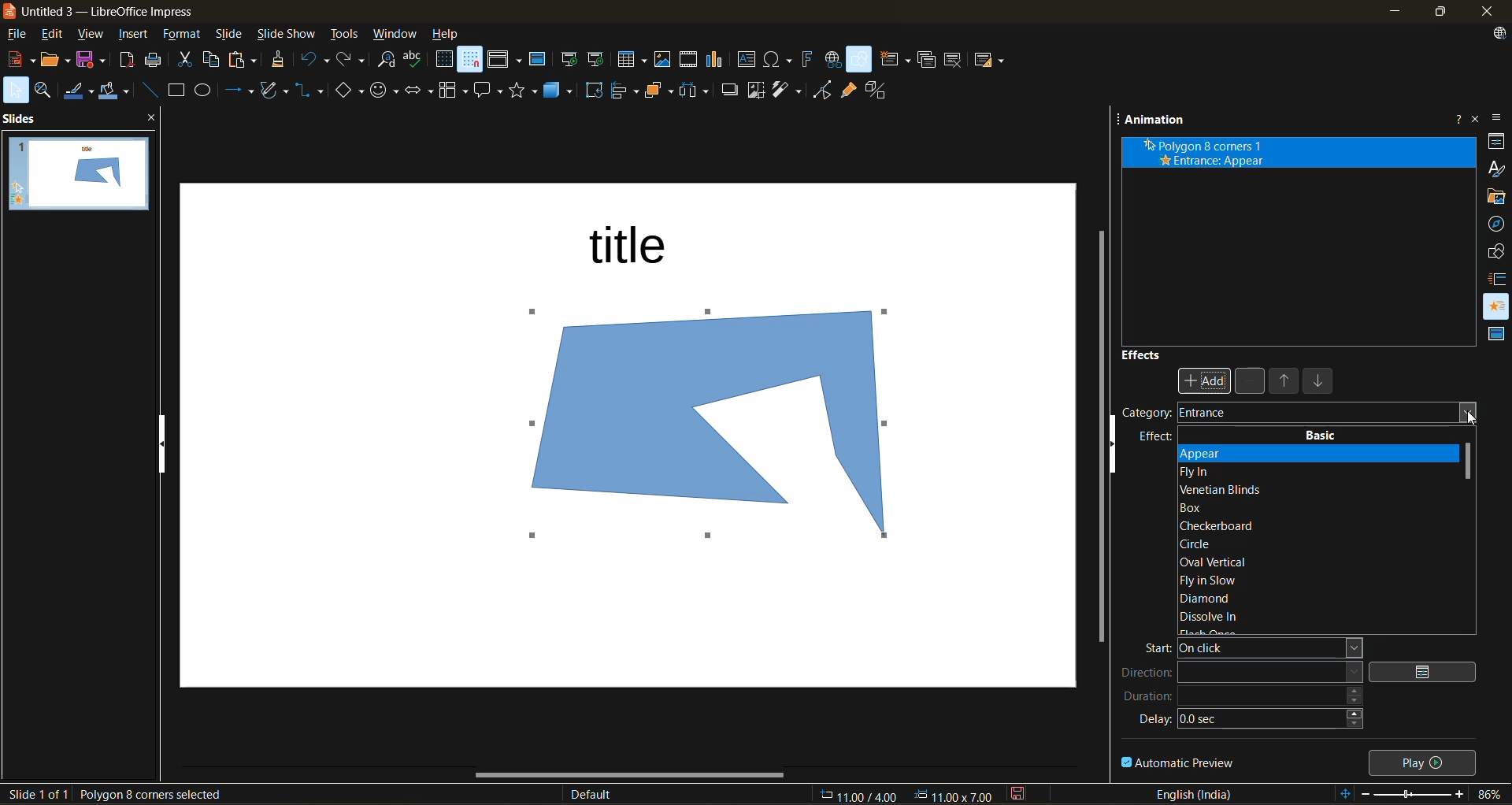 This screenshot has height=805, width=1512. Describe the element at coordinates (1211, 544) in the screenshot. I see `circle` at that location.